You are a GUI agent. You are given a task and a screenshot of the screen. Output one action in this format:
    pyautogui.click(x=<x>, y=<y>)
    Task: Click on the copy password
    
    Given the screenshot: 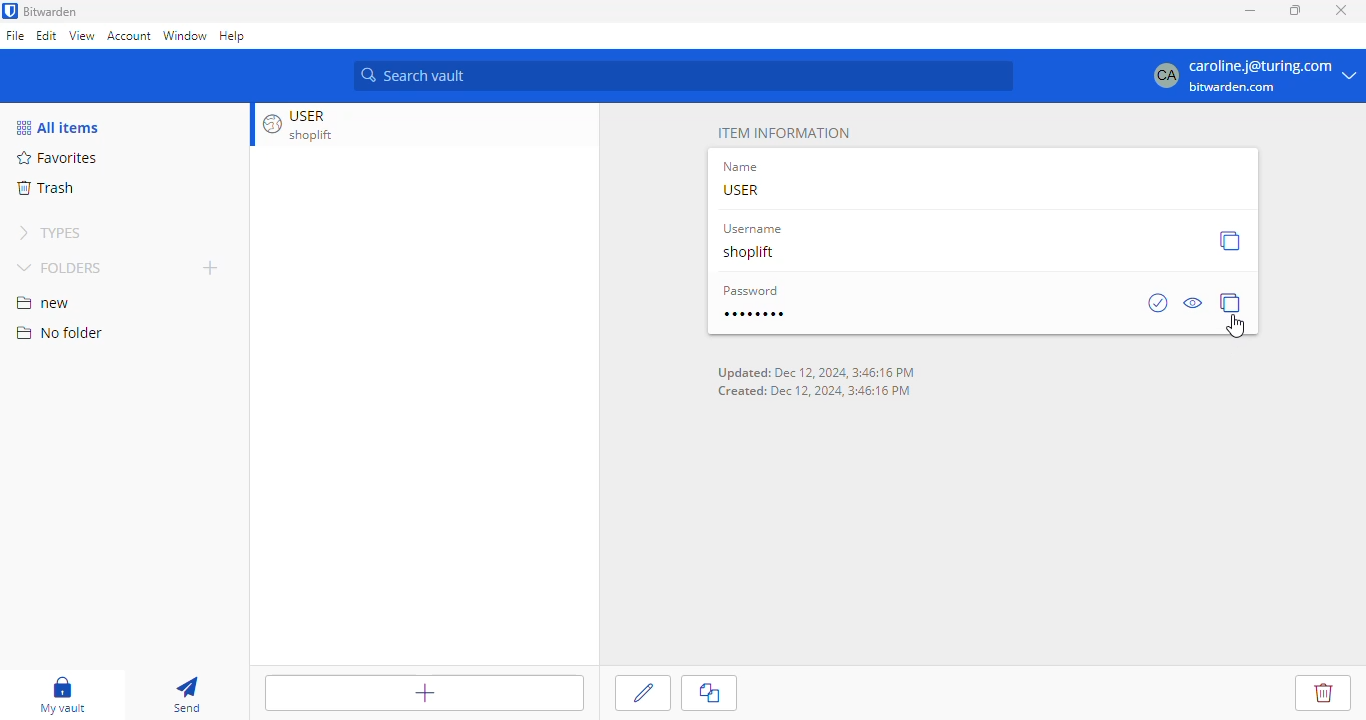 What is the action you would take?
    pyautogui.click(x=1231, y=302)
    